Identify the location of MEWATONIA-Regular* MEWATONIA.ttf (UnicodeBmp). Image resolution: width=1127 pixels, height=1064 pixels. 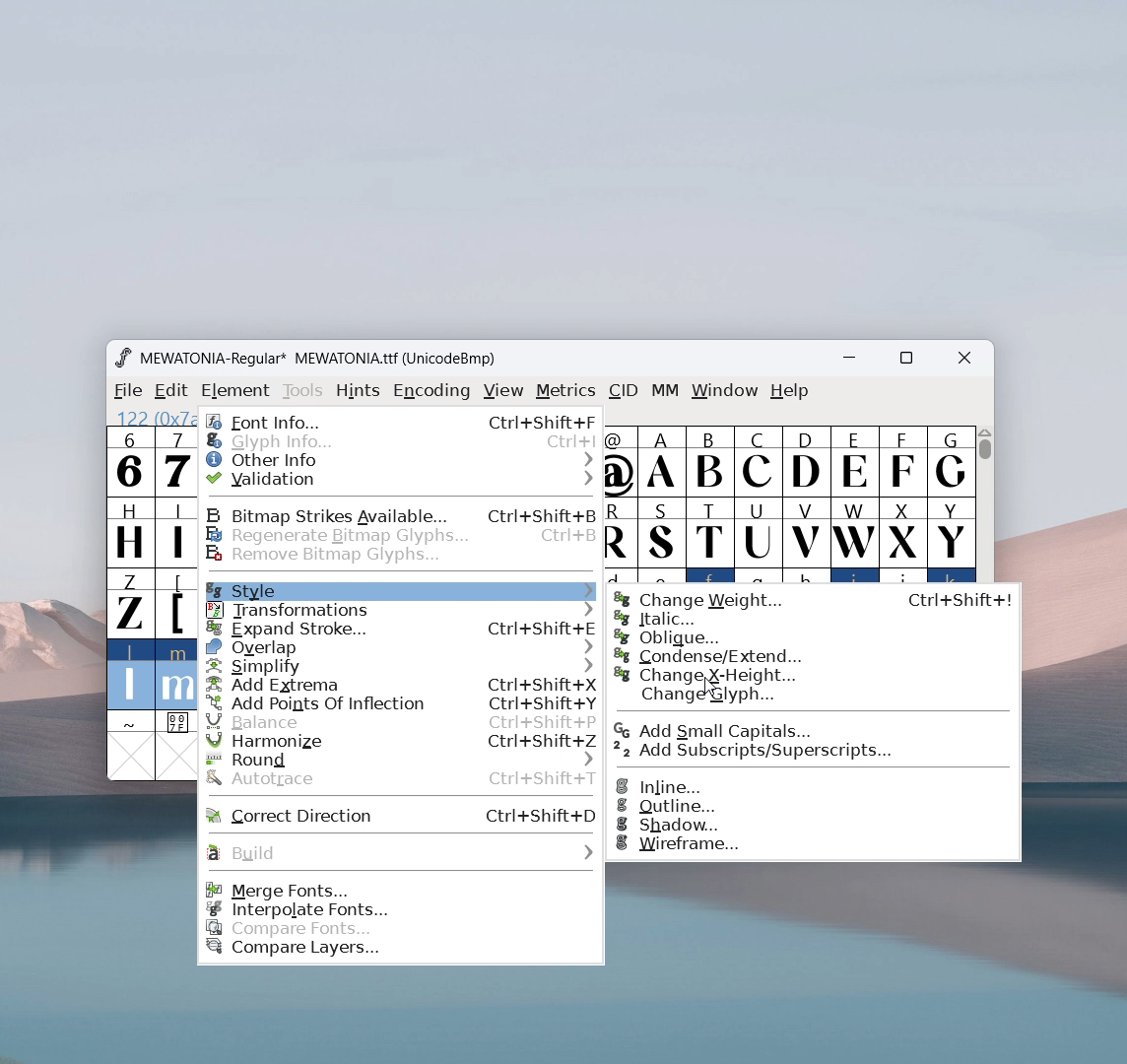
(321, 359).